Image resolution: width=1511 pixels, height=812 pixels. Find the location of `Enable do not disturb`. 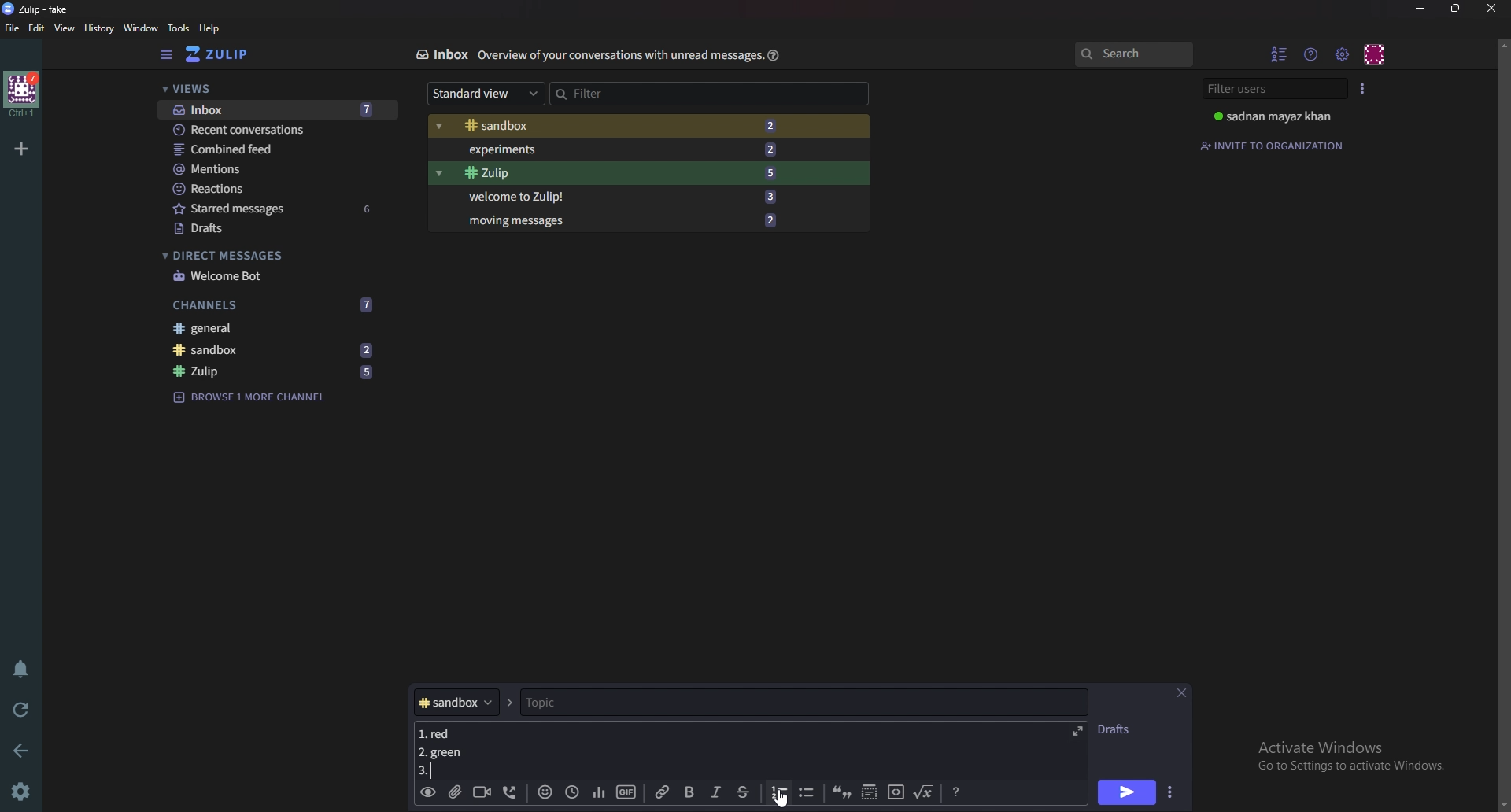

Enable do not disturb is located at coordinates (19, 670).